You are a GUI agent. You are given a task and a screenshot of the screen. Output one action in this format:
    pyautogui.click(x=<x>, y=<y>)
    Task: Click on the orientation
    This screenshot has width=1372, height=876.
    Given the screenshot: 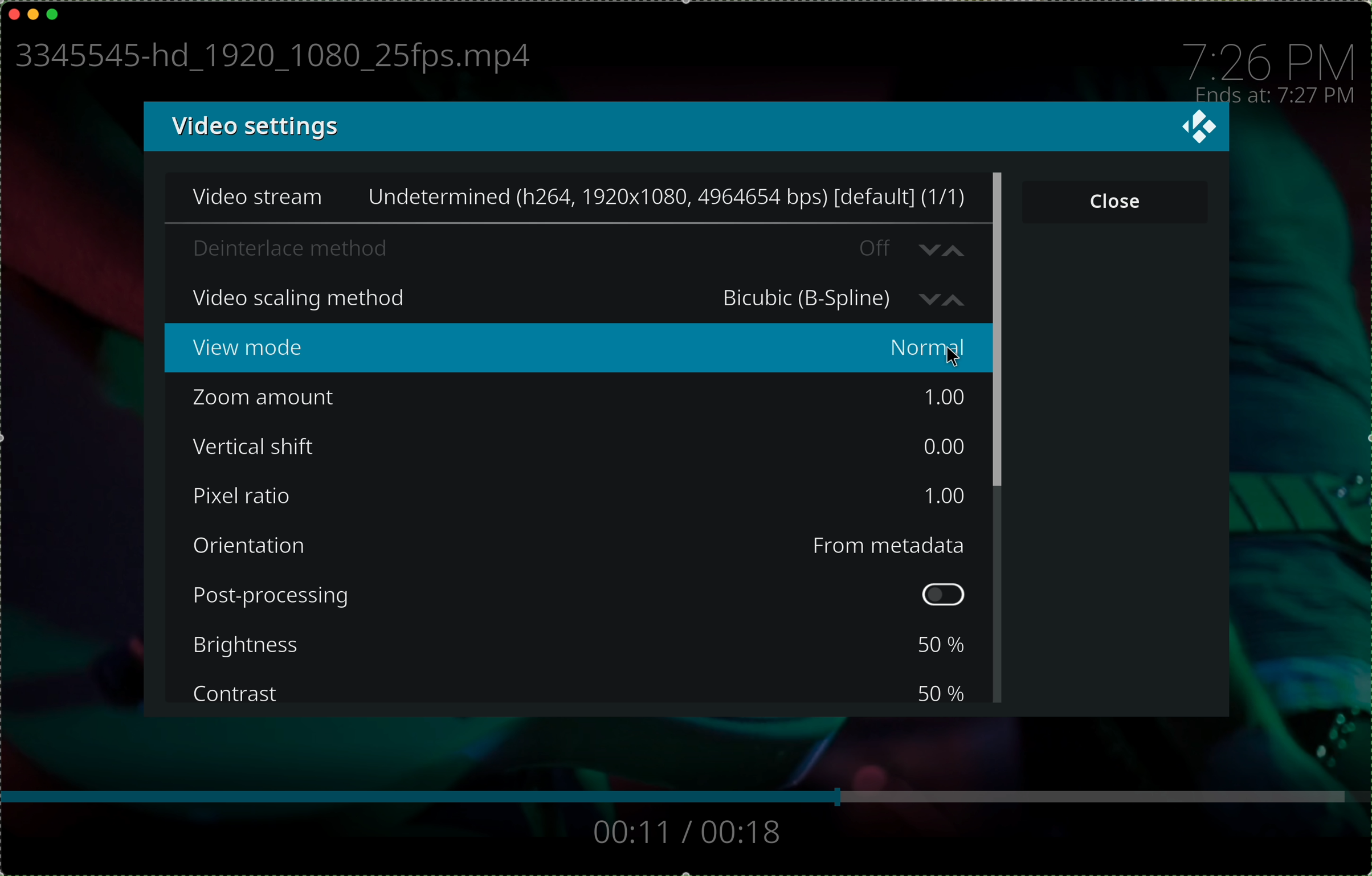 What is the action you would take?
    pyautogui.click(x=253, y=546)
    